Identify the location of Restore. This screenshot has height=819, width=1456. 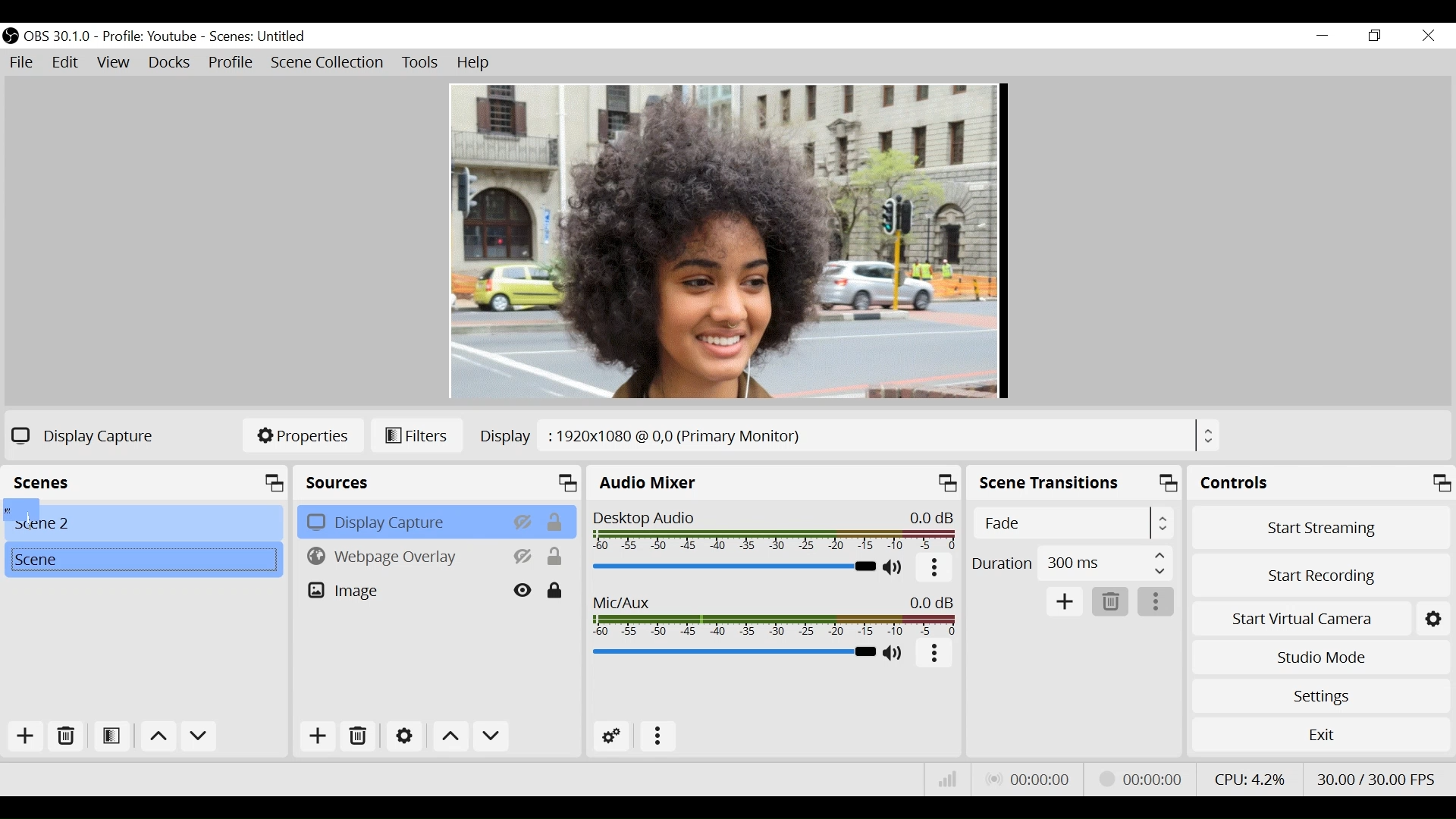
(1375, 36).